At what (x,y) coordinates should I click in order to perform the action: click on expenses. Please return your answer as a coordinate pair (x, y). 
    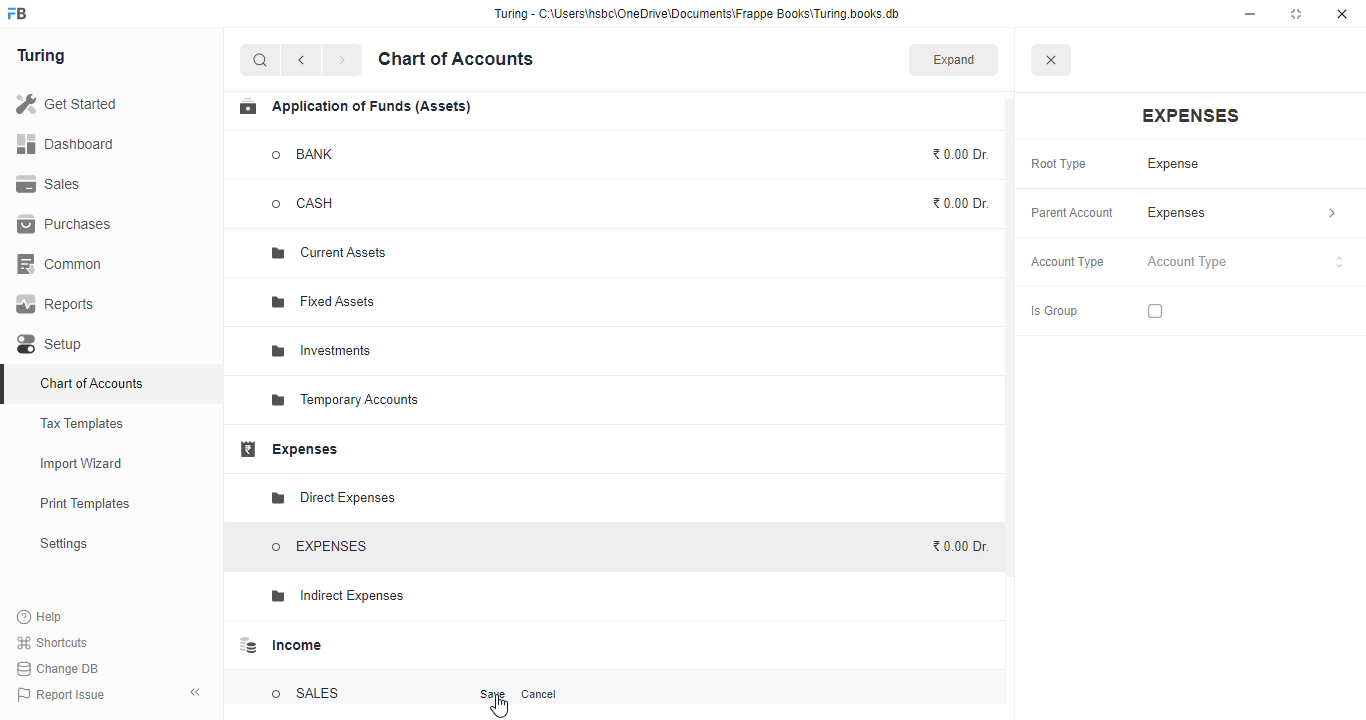
    Looking at the image, I should click on (288, 449).